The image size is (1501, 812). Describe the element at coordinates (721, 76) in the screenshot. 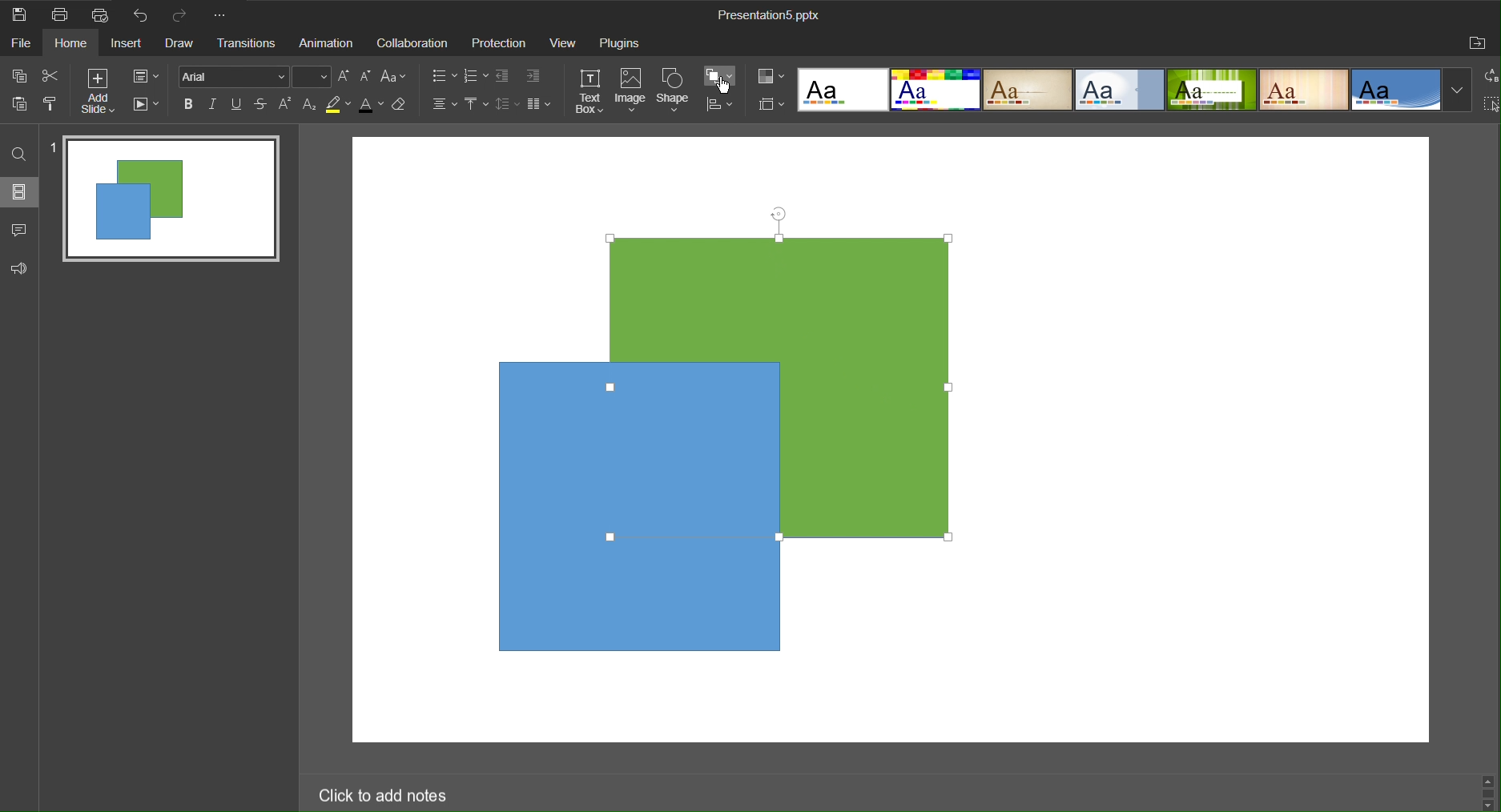

I see `Arrange` at that location.